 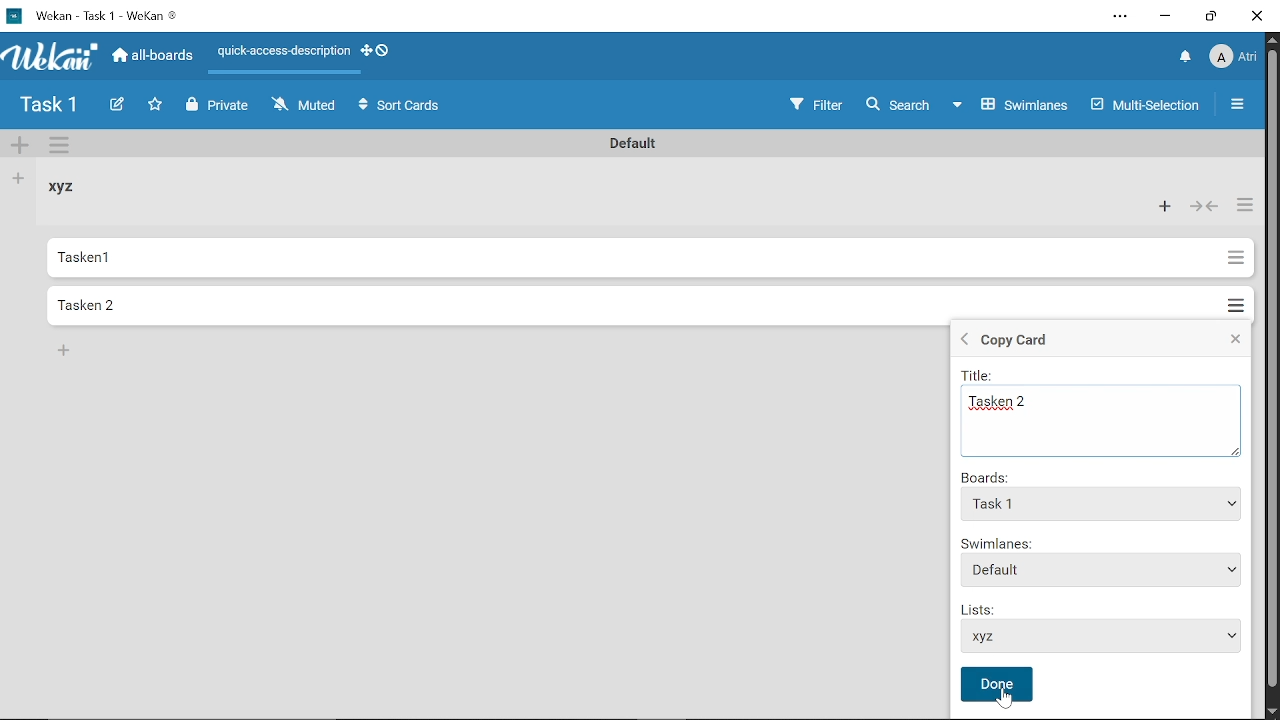 What do you see at coordinates (988, 606) in the screenshot?
I see `Lists` at bounding box center [988, 606].